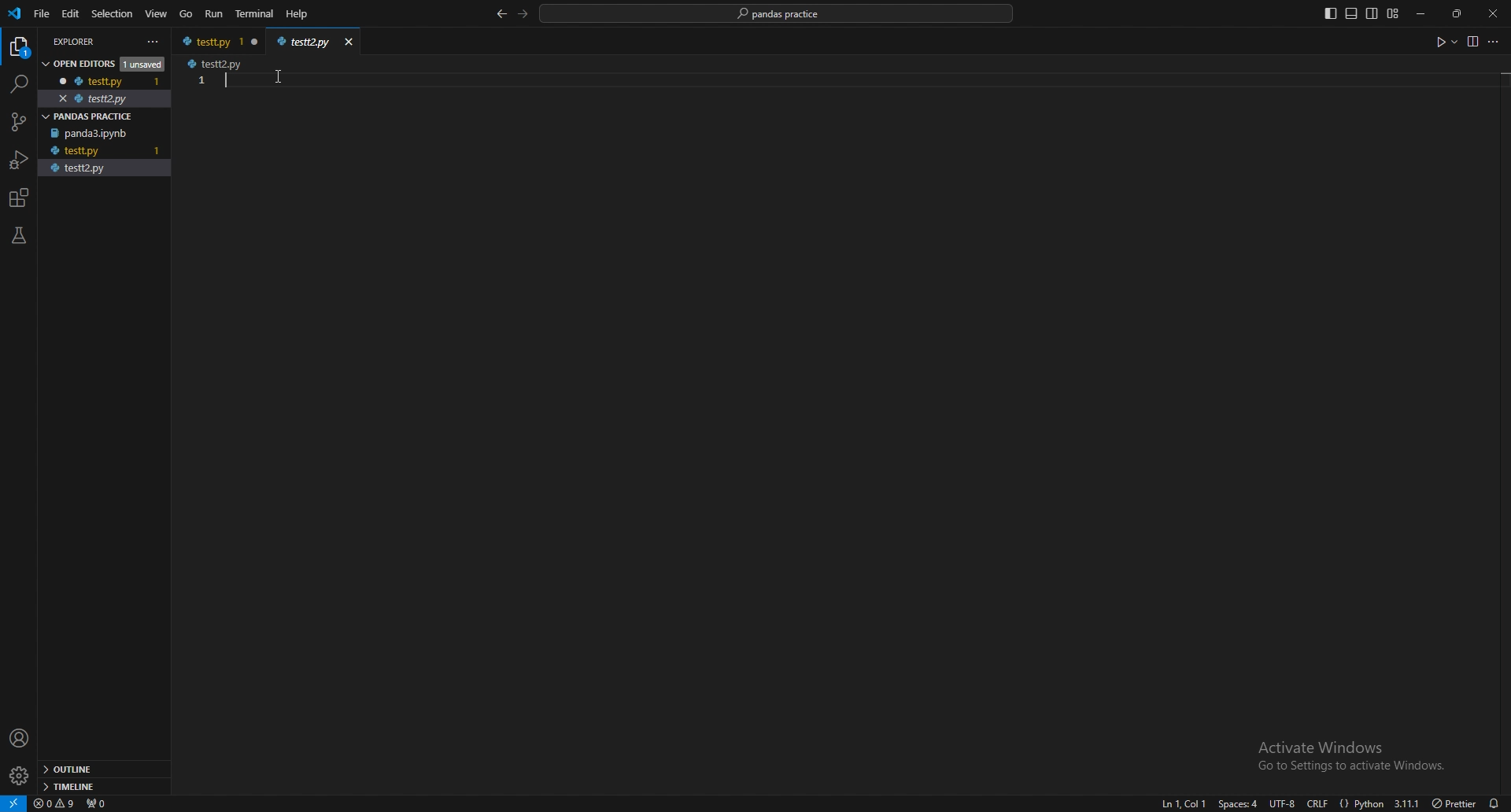  I want to click on pandas practice, so click(778, 14).